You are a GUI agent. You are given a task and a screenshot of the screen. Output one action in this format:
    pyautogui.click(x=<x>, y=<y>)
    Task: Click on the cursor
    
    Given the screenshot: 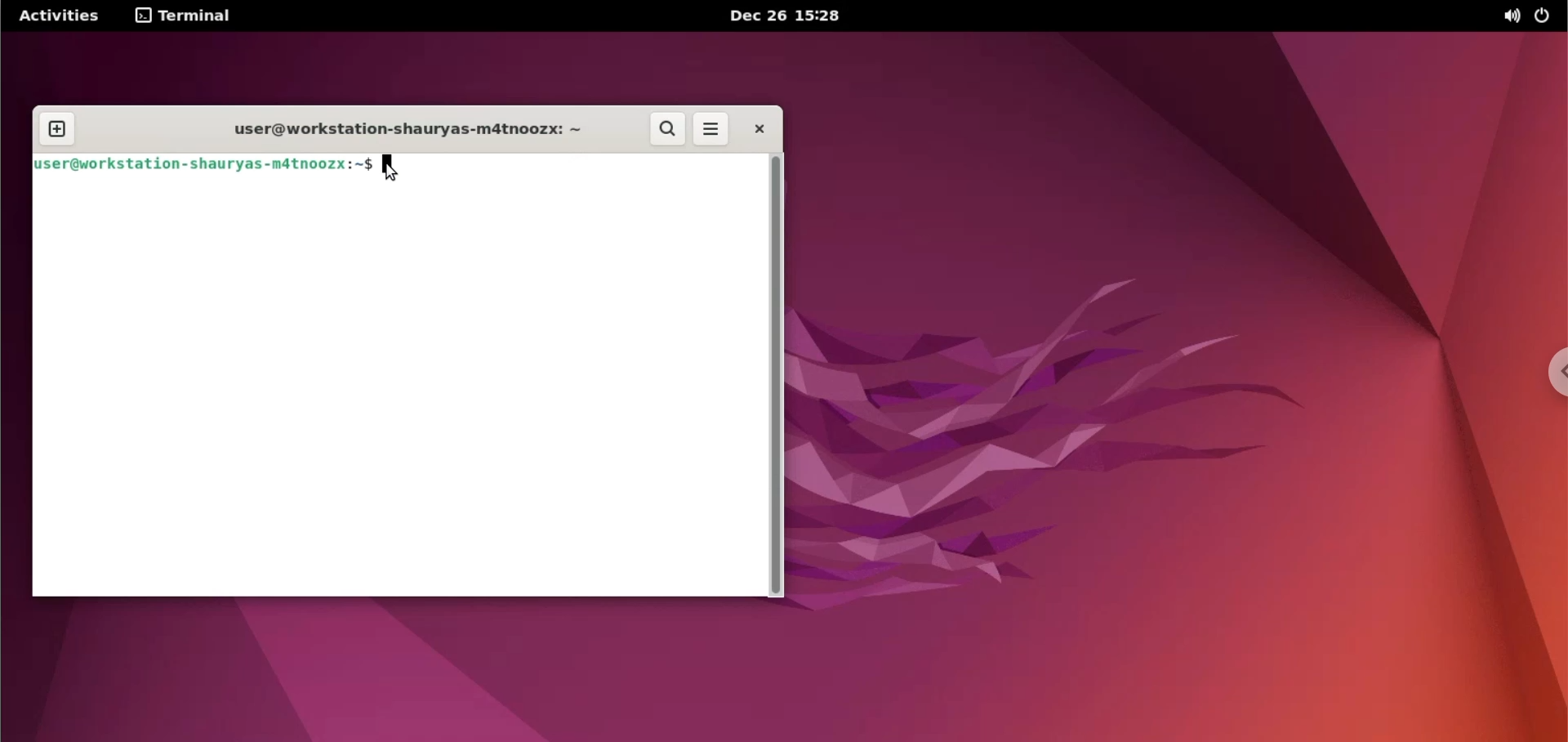 What is the action you would take?
    pyautogui.click(x=389, y=171)
    